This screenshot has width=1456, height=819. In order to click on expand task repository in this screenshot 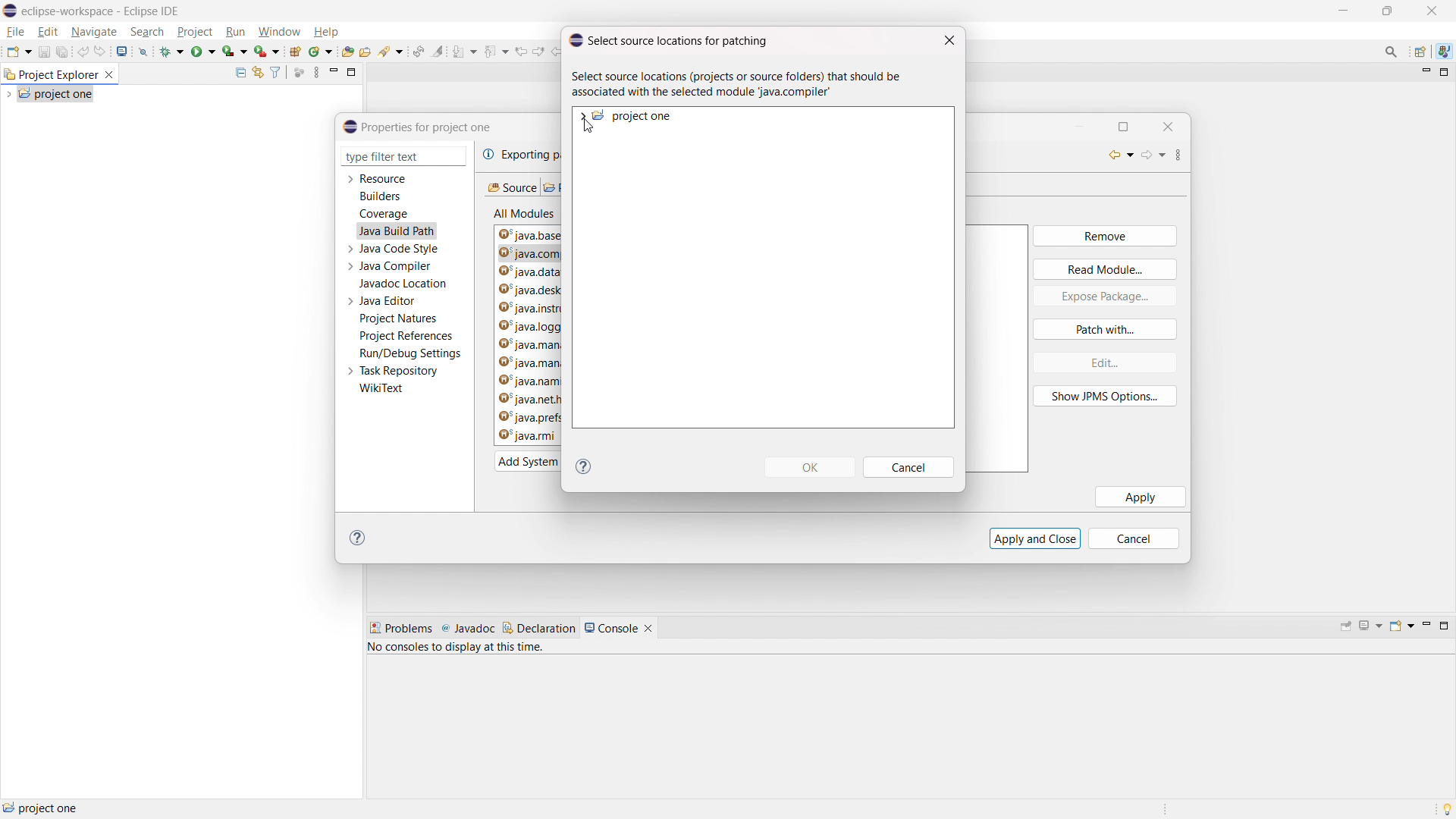, I will do `click(349, 372)`.